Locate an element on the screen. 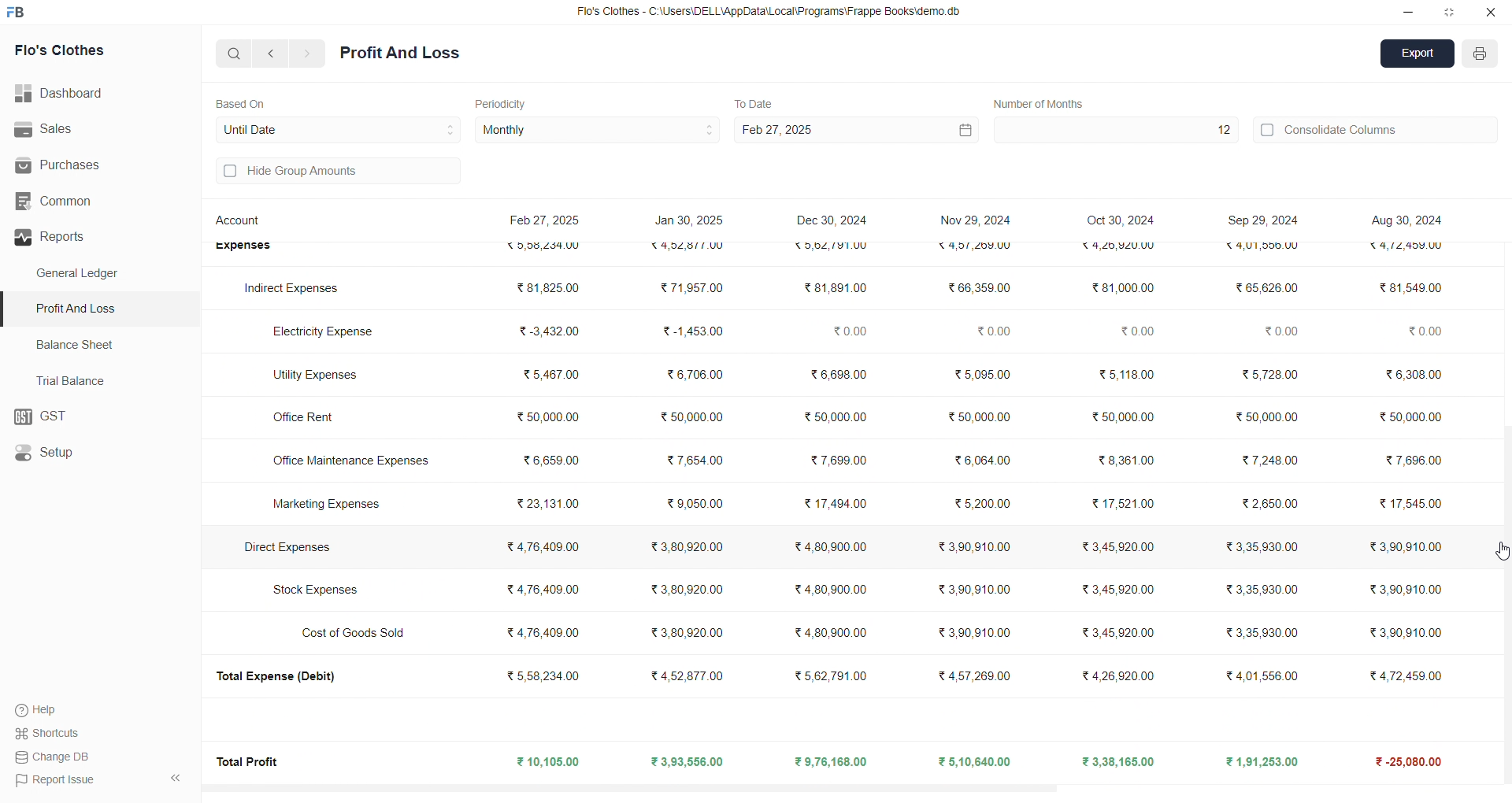 The width and height of the screenshot is (1512, 803). Office Rent is located at coordinates (310, 419).